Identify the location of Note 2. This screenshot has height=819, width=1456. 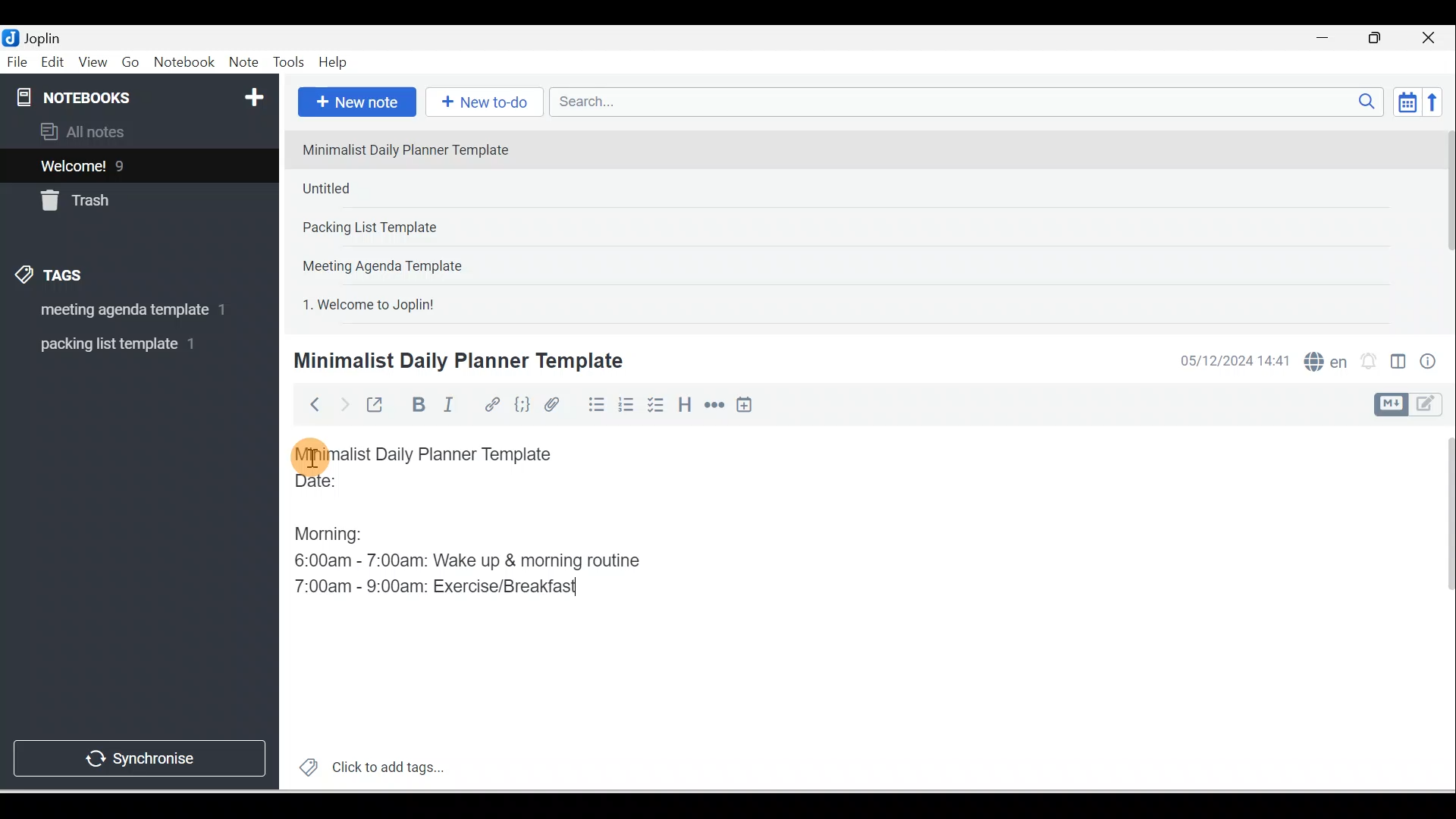
(401, 188).